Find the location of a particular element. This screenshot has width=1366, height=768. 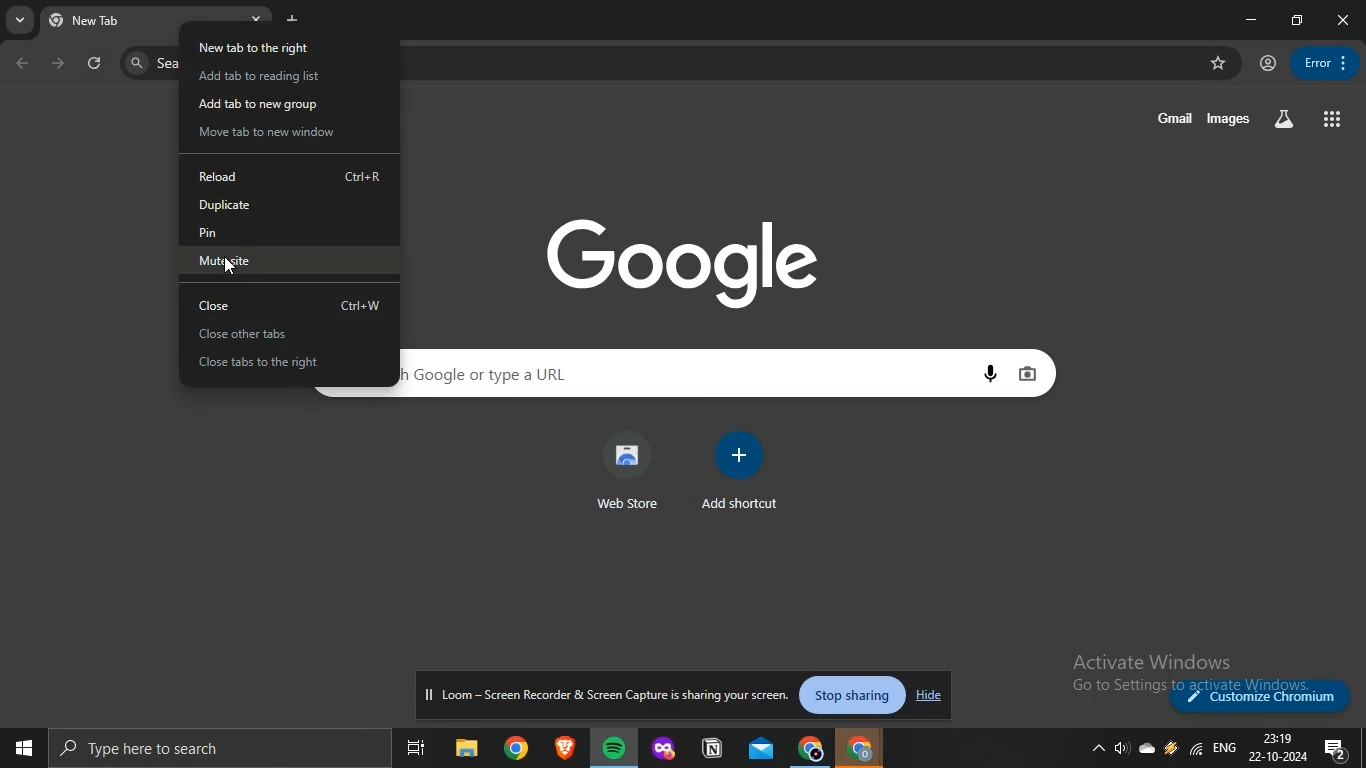

current tab is located at coordinates (112, 19).